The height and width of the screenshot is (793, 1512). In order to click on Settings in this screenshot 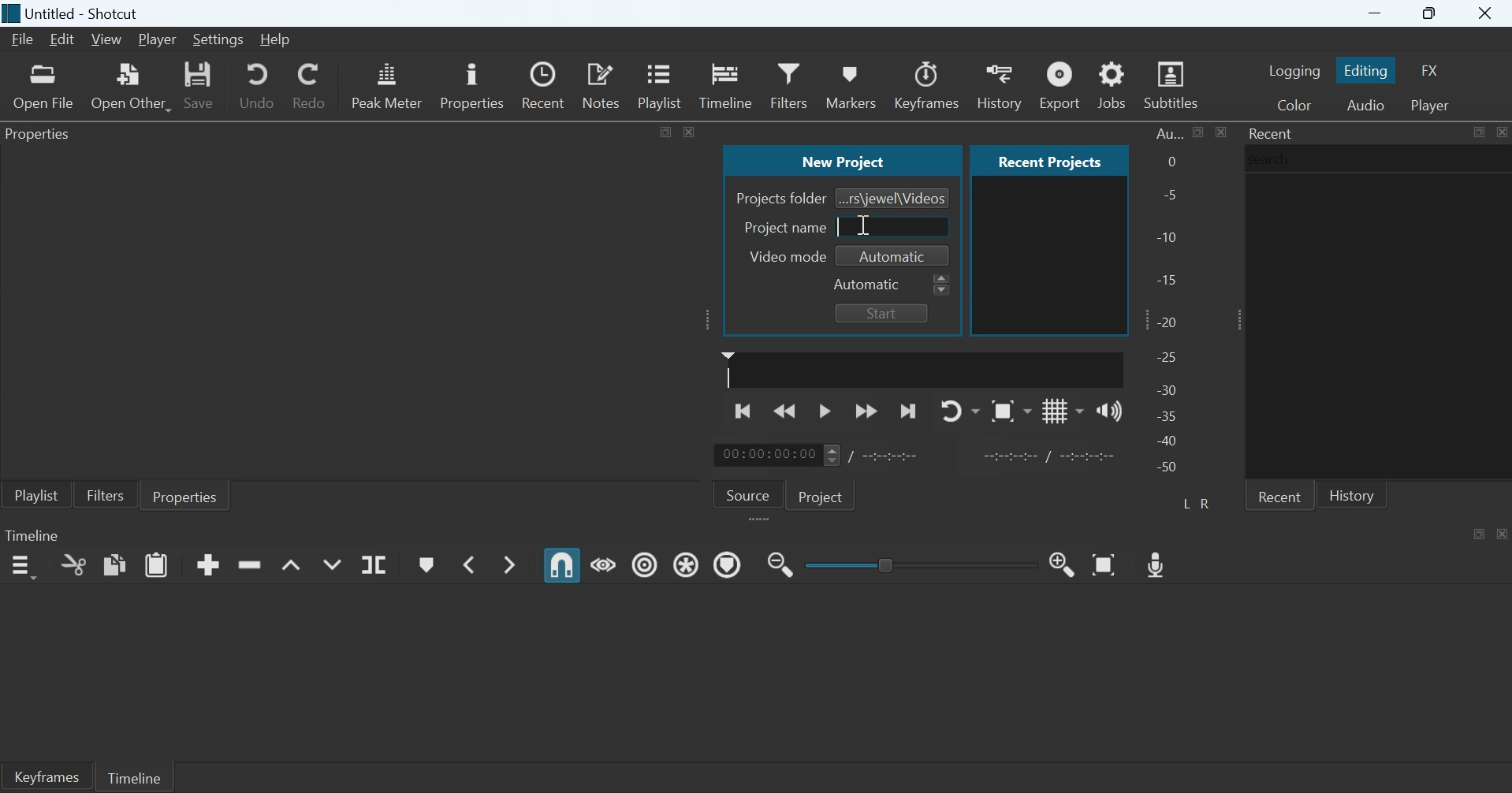, I will do `click(218, 40)`.